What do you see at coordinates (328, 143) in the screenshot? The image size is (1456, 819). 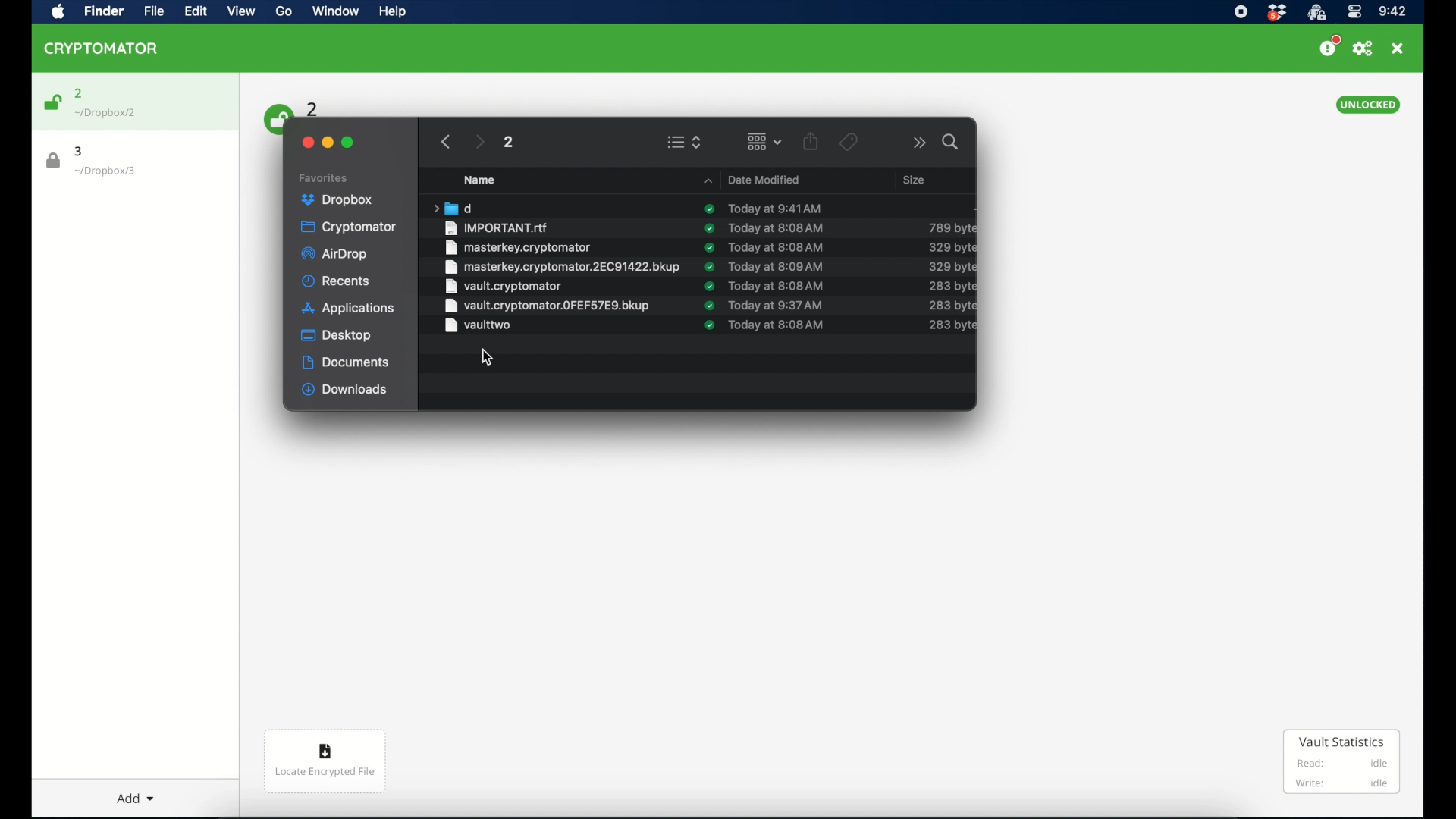 I see `minimize` at bounding box center [328, 143].